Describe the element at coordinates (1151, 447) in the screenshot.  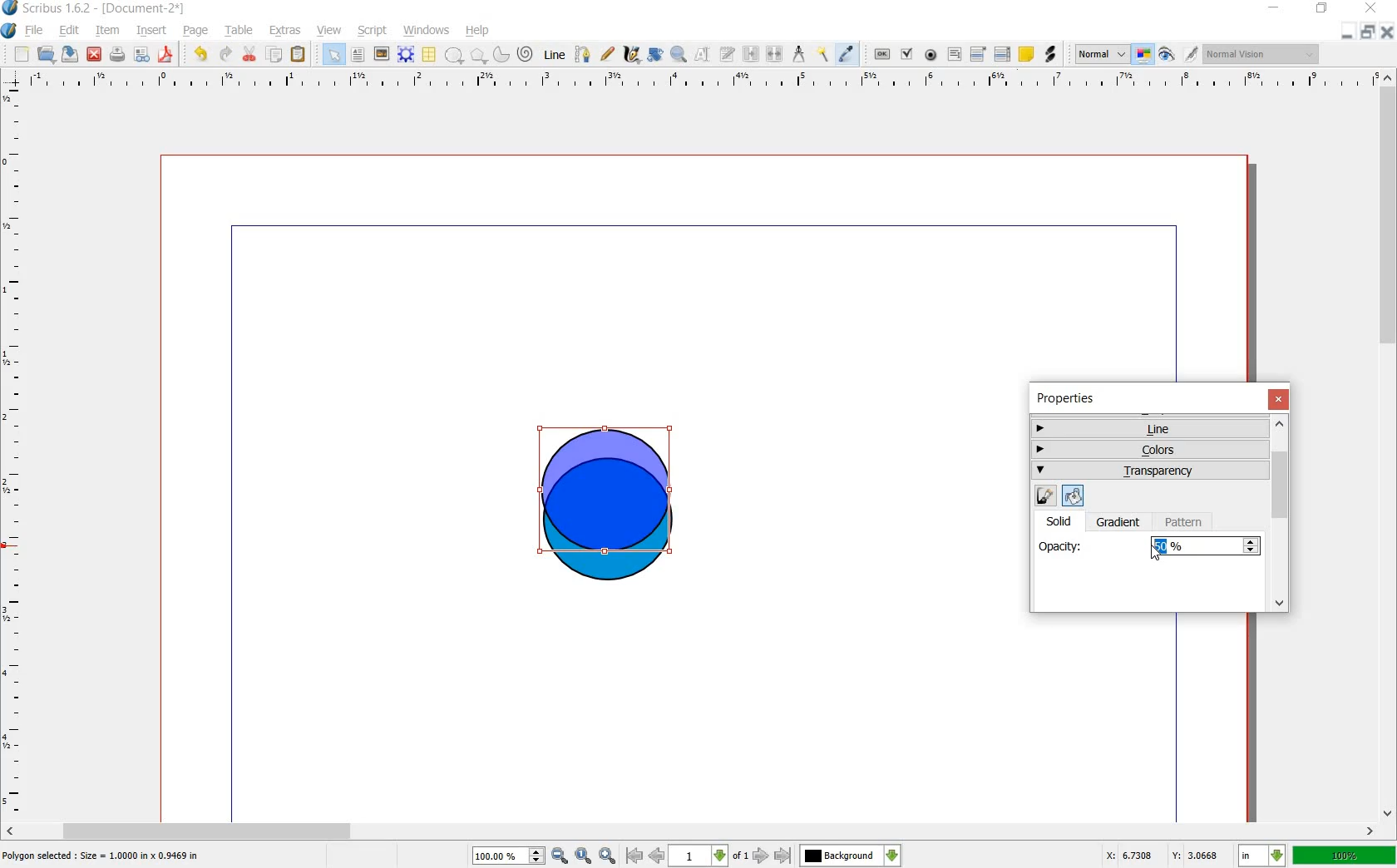
I see `colors` at that location.